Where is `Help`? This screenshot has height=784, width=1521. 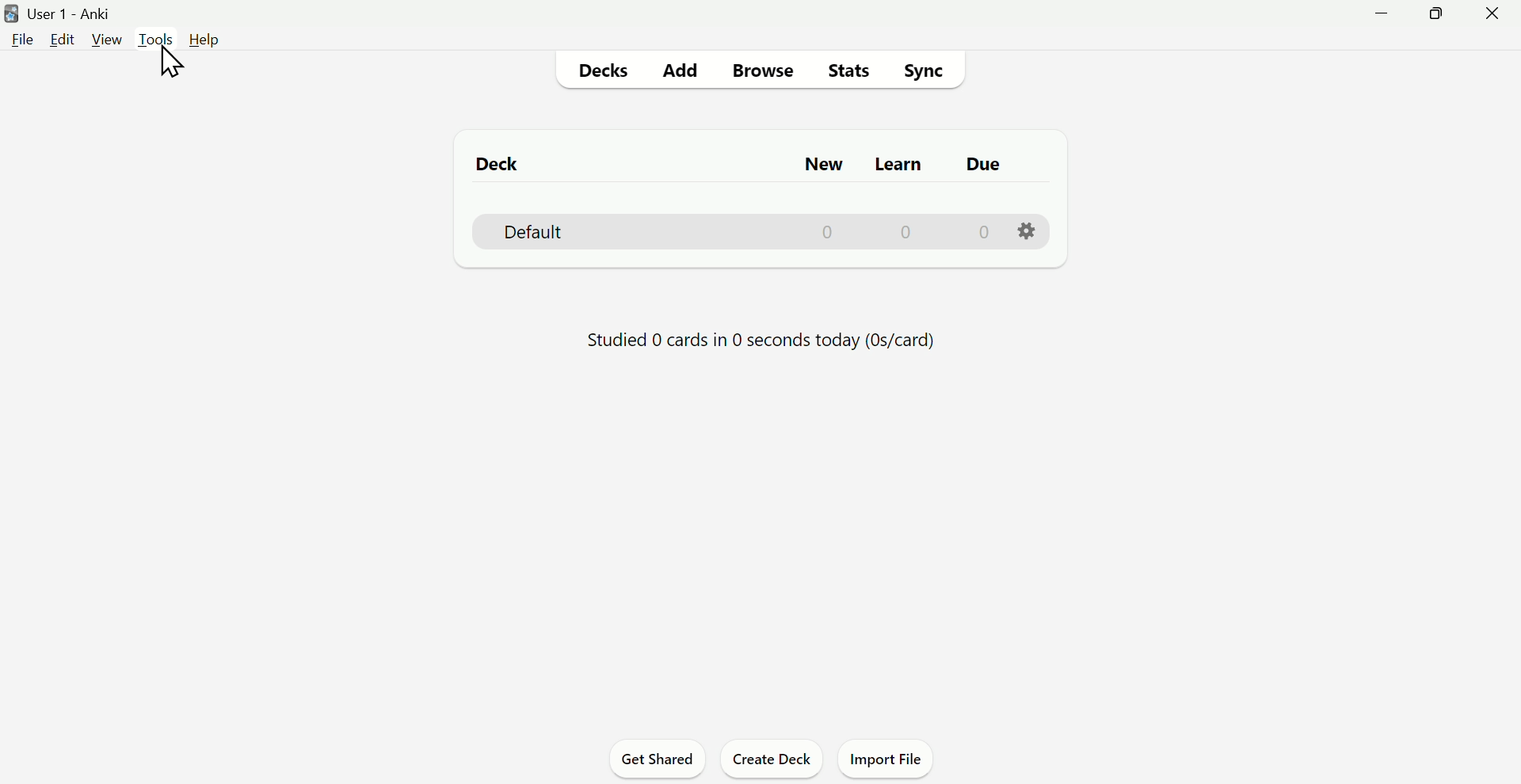
Help is located at coordinates (204, 40).